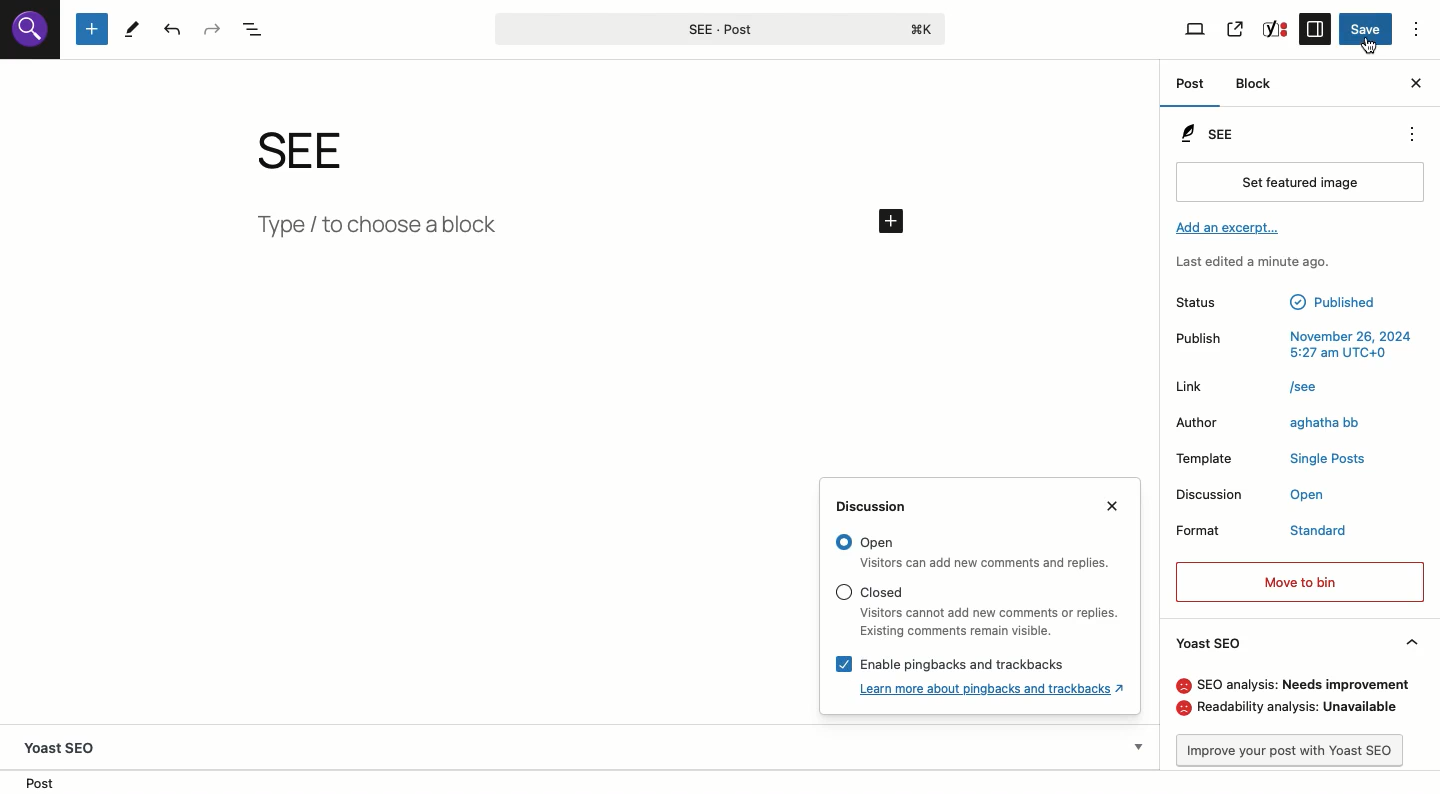 The image size is (1440, 794). I want to click on SEE-Post, so click(717, 27).